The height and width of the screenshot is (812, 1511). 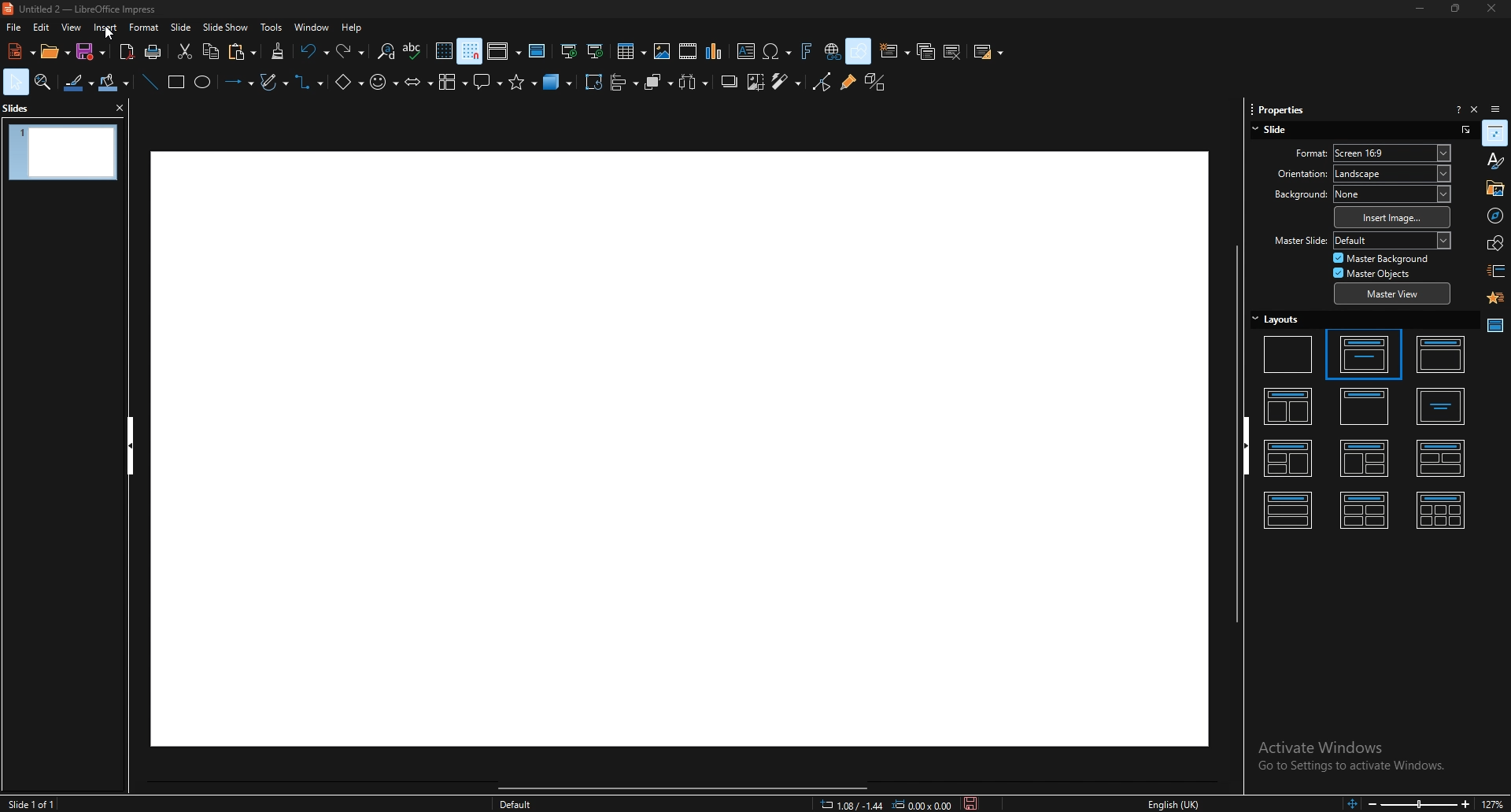 I want to click on help on sidebar settings, so click(x=1458, y=109).